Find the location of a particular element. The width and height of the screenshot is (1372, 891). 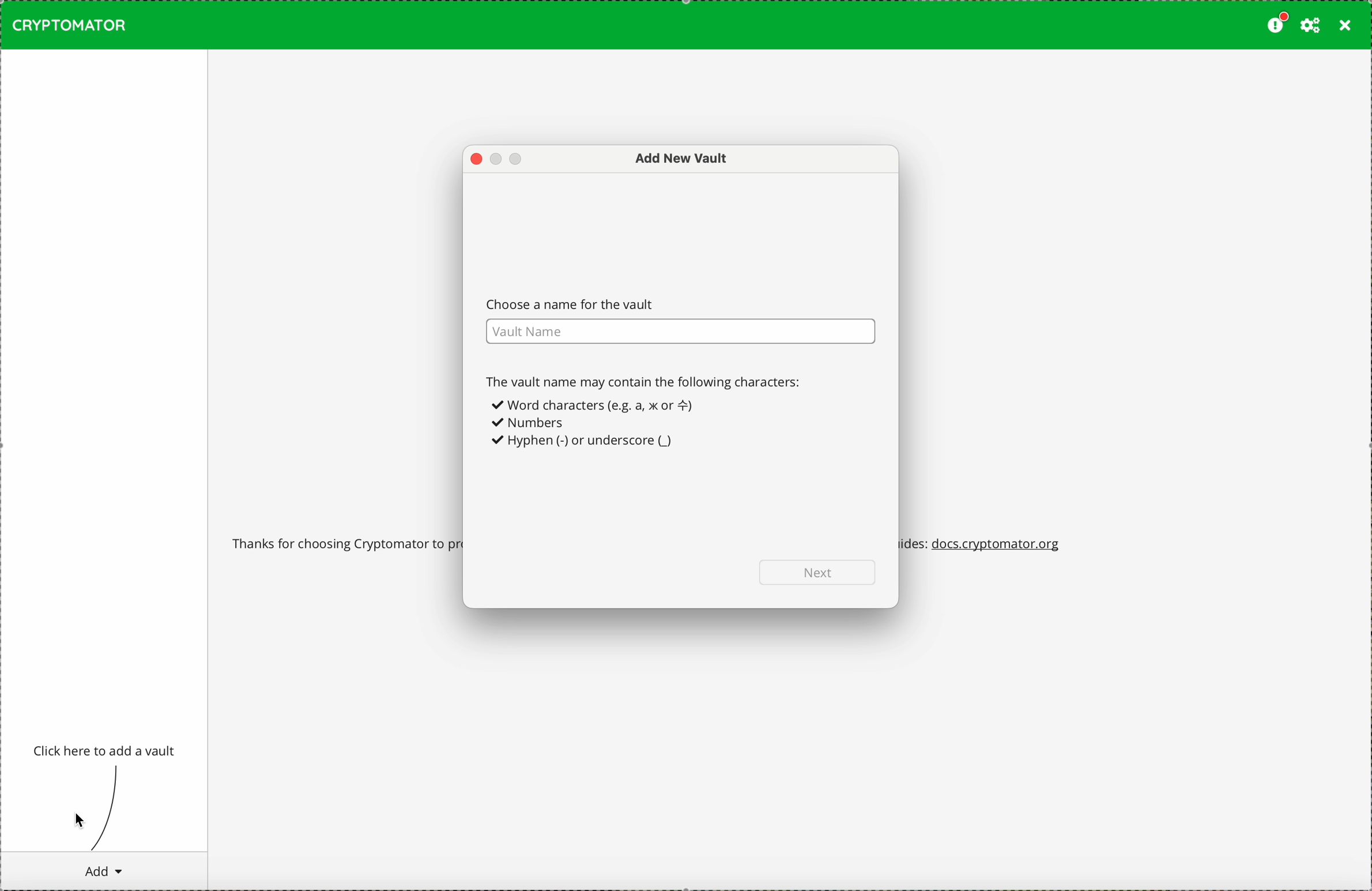

+ Word characters (e.g. a, x or =) is located at coordinates (597, 405).